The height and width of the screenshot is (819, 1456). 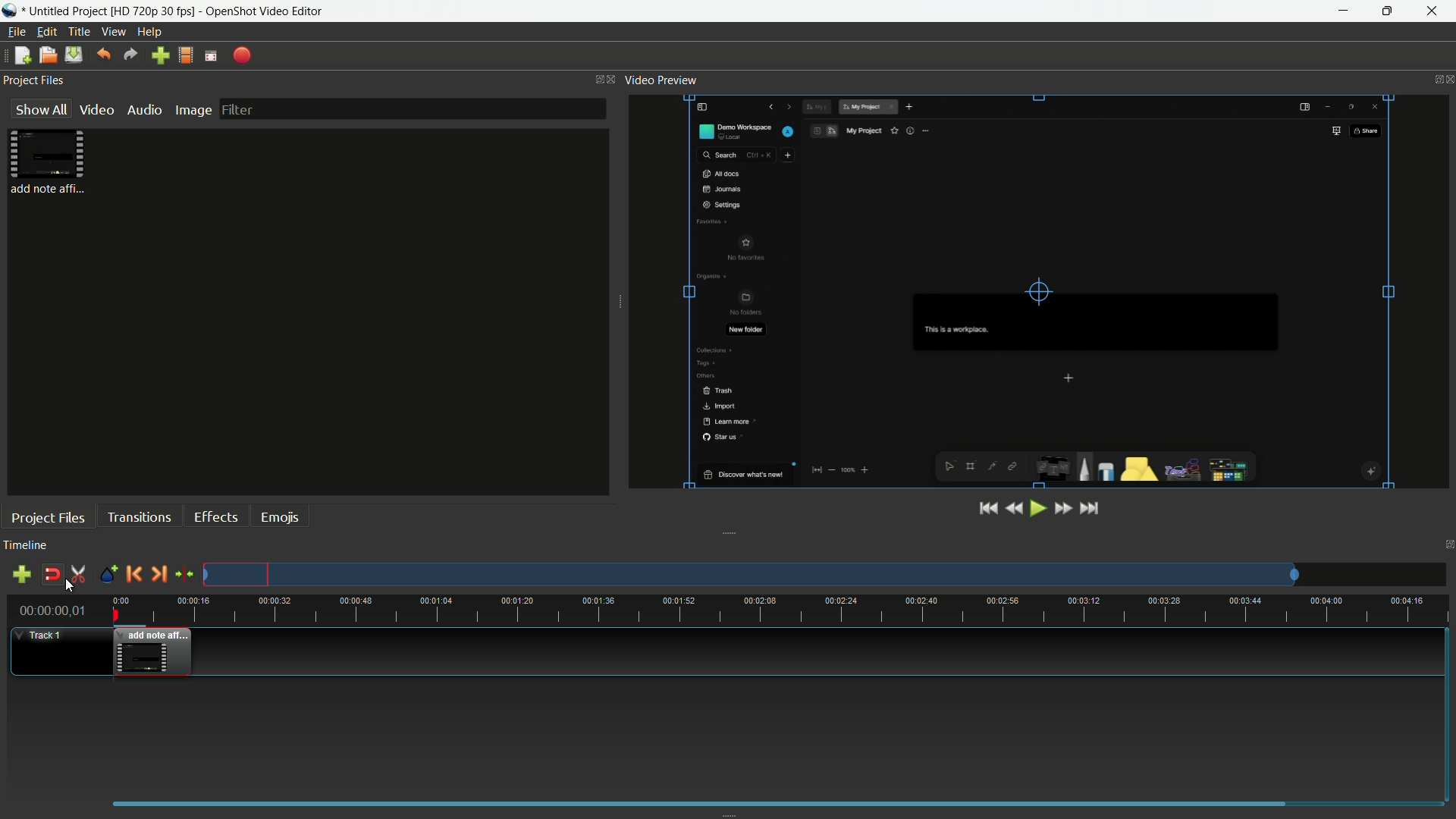 What do you see at coordinates (97, 110) in the screenshot?
I see `video` at bounding box center [97, 110].